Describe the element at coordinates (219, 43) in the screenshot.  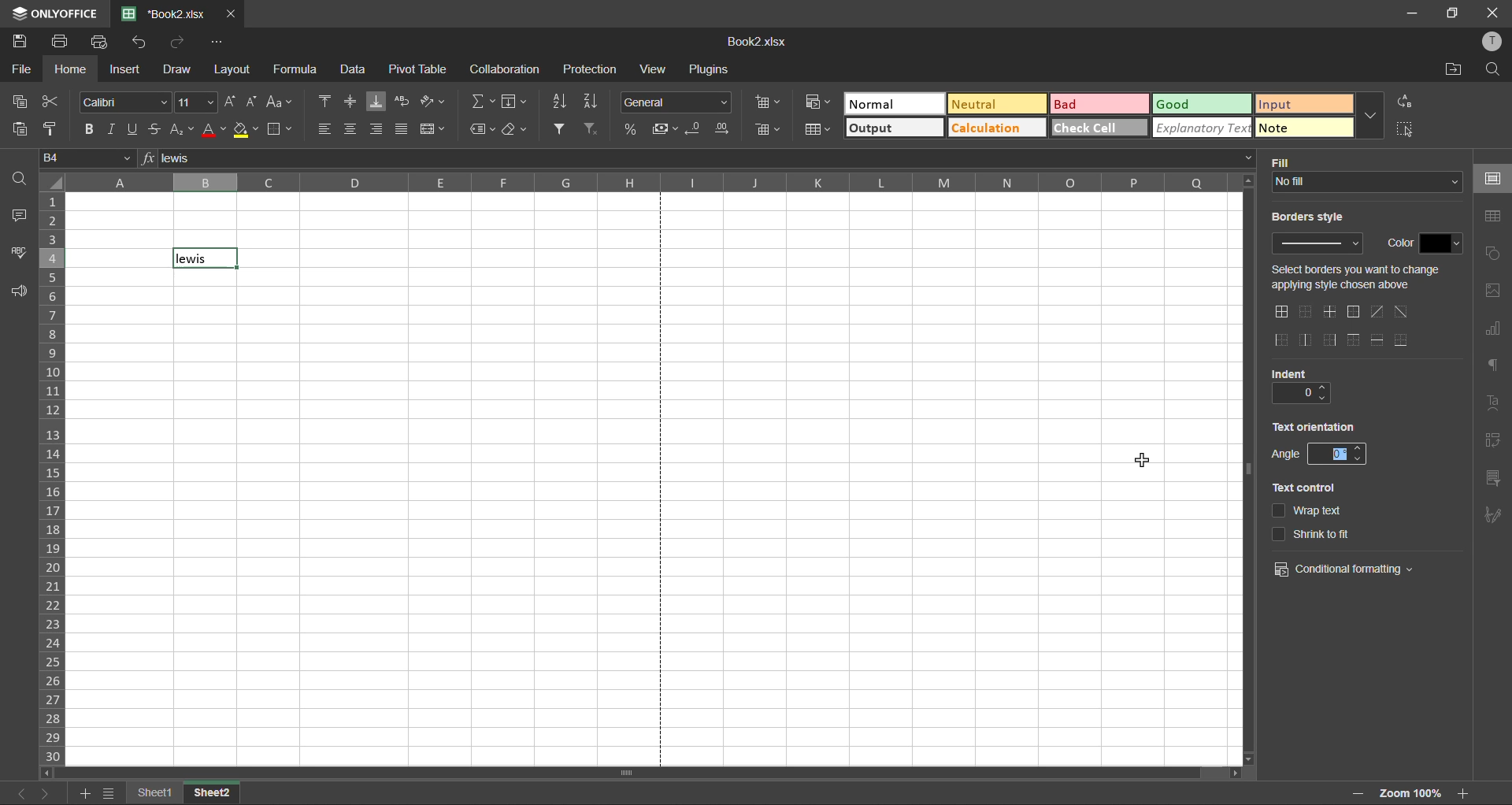
I see `customize quick access toolbar` at that location.